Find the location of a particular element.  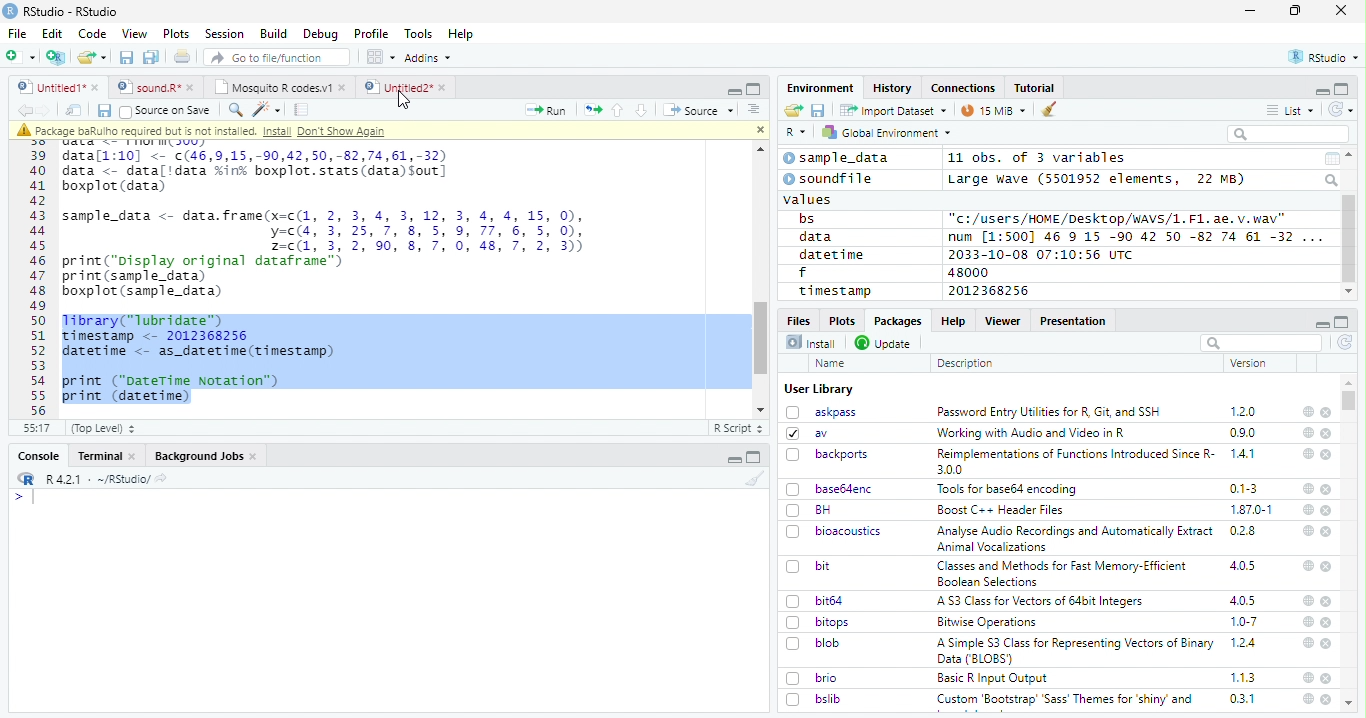

File is located at coordinates (16, 33).